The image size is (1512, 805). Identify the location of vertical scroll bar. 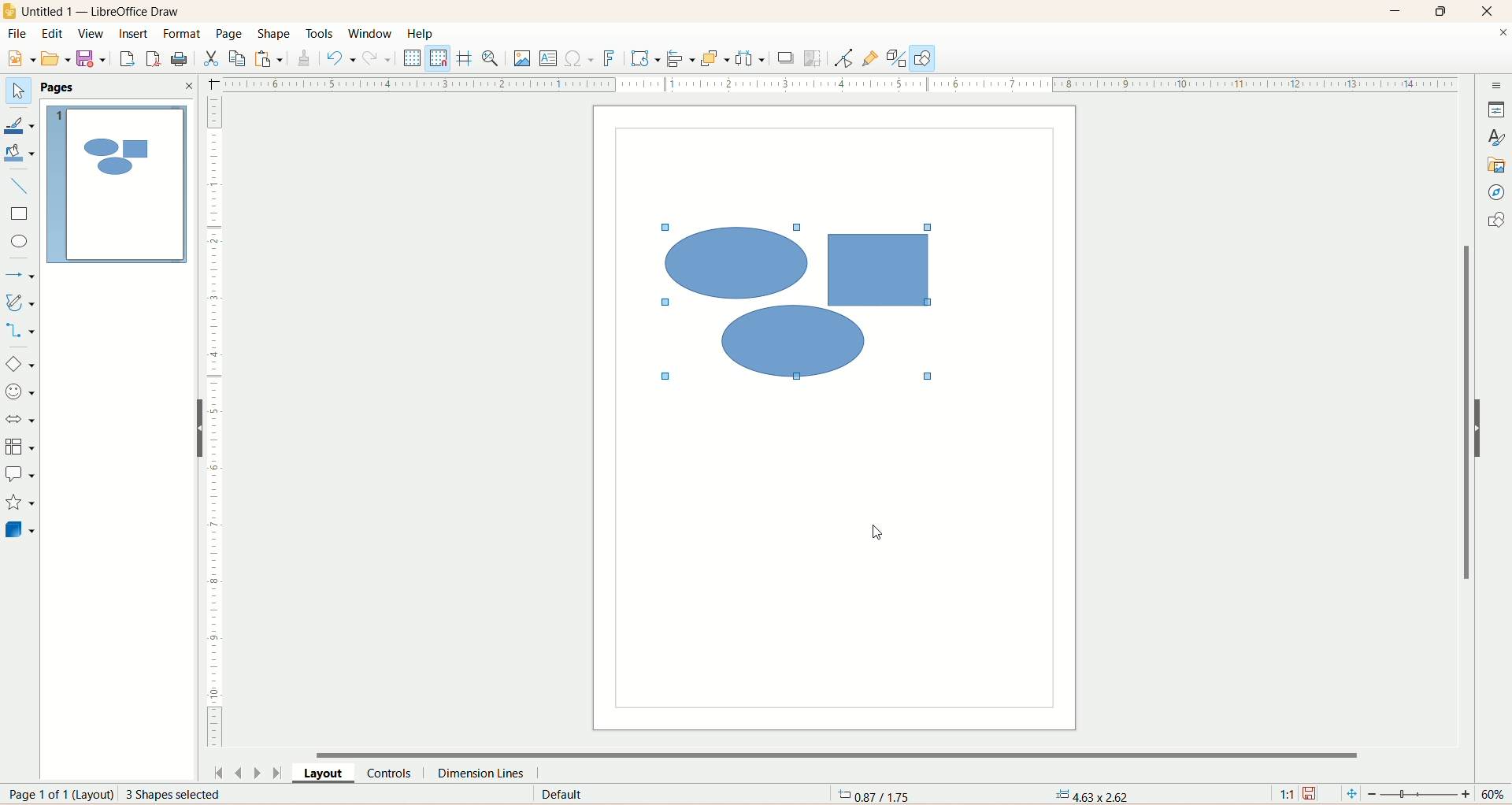
(1466, 436).